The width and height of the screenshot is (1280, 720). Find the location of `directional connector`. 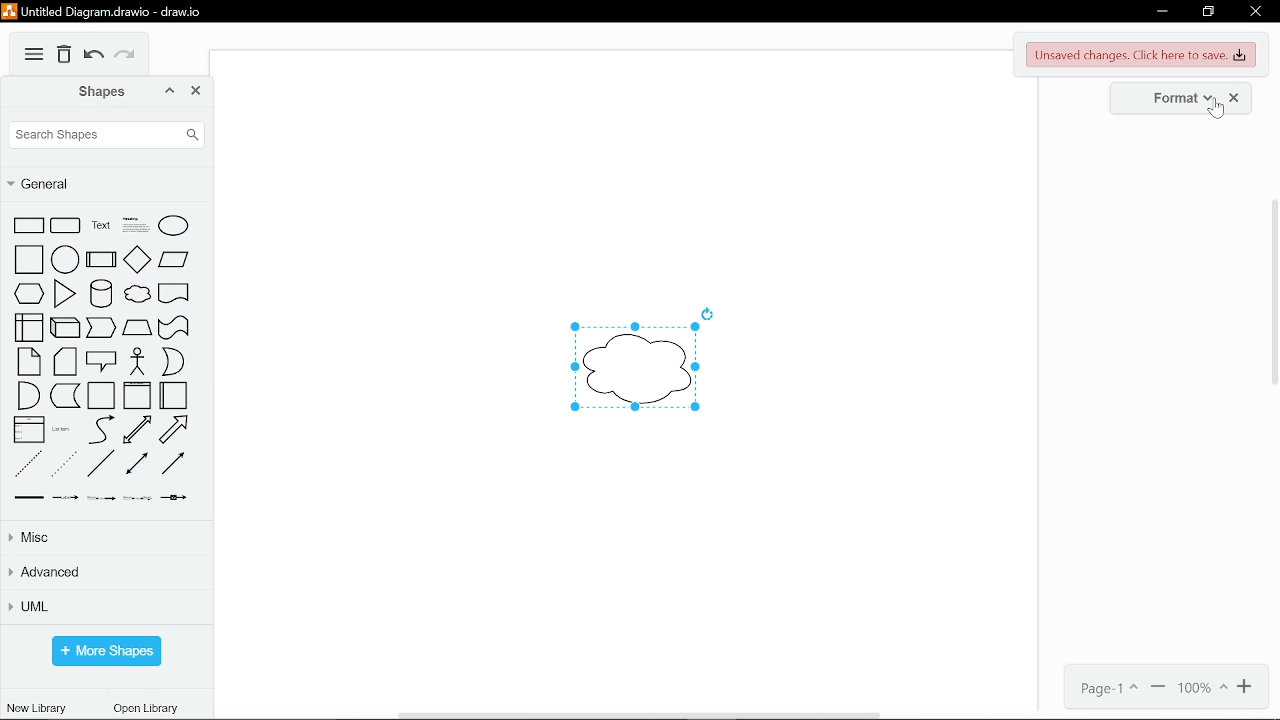

directional connector is located at coordinates (172, 463).